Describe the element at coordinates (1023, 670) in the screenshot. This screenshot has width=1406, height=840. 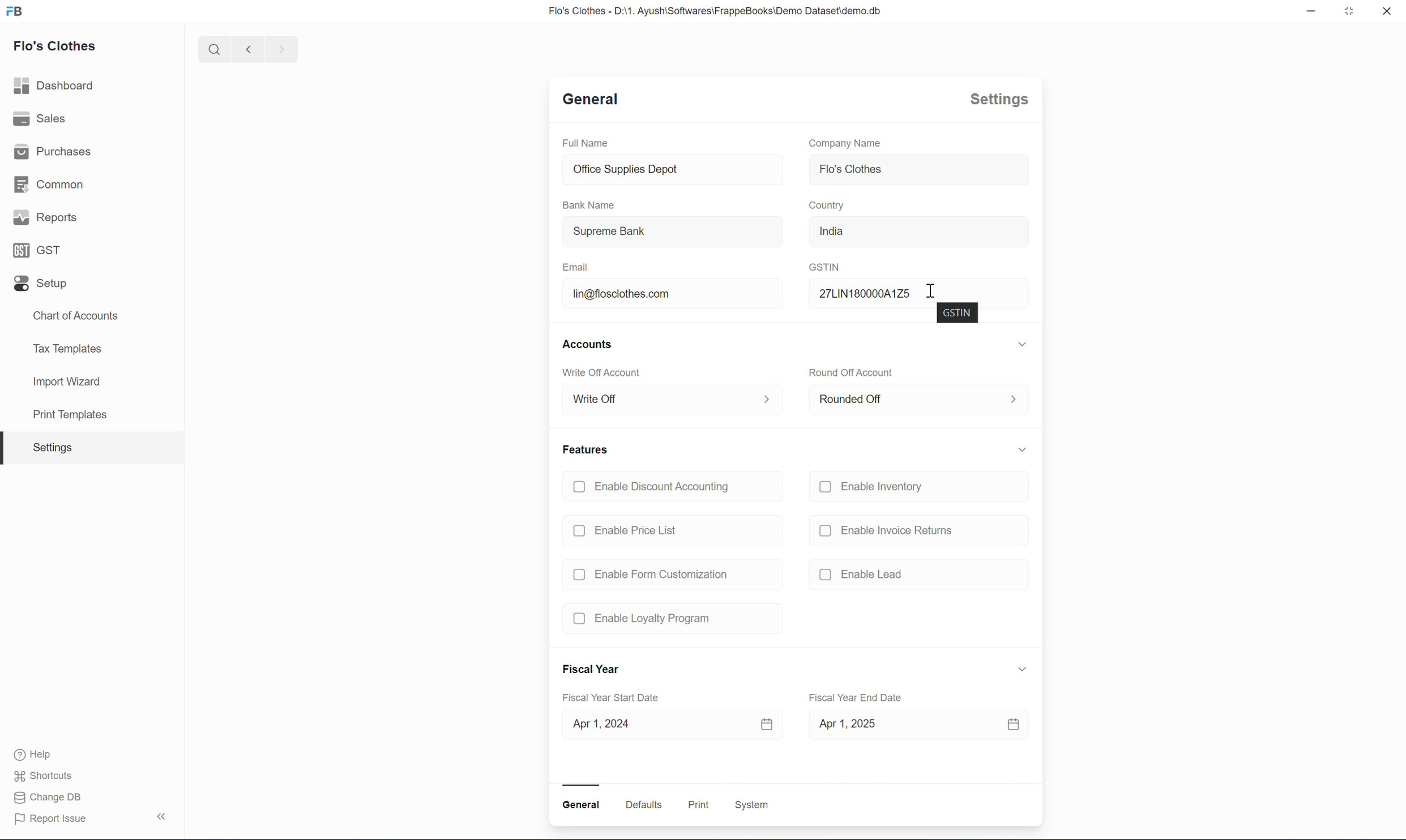
I see `Expand/collapse` at that location.